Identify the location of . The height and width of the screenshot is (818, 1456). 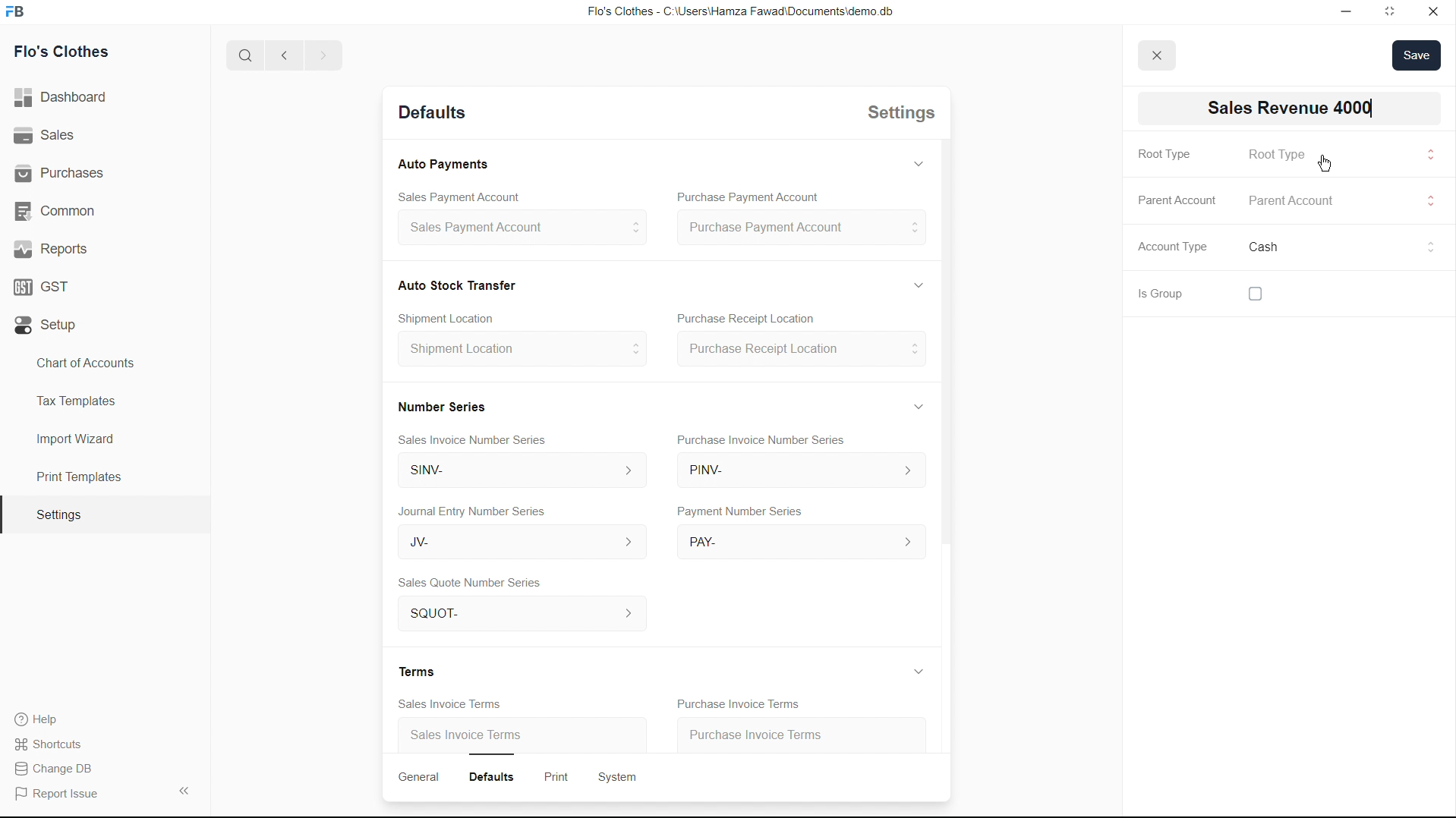
(1428, 158).